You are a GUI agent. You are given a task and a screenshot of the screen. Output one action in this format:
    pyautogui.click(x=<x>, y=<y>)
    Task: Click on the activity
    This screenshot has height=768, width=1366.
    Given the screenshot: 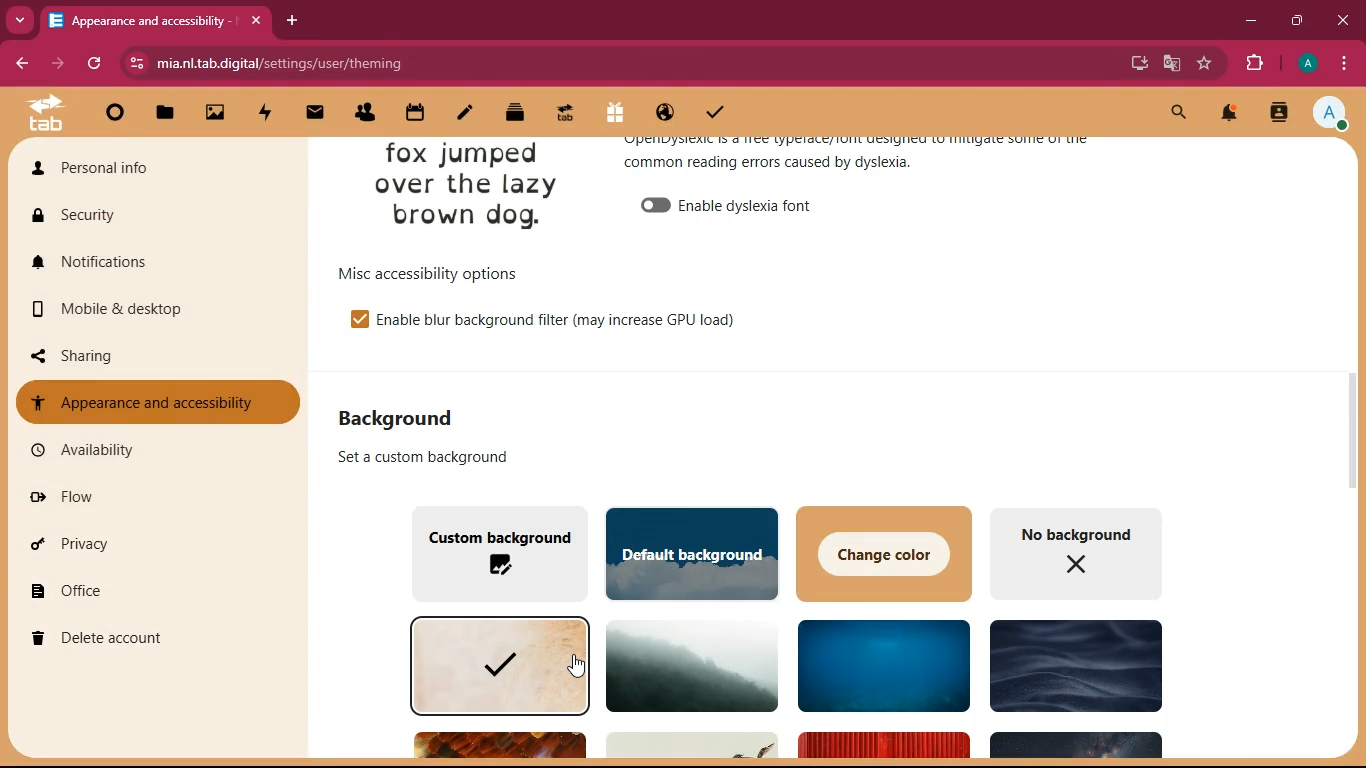 What is the action you would take?
    pyautogui.click(x=1280, y=115)
    